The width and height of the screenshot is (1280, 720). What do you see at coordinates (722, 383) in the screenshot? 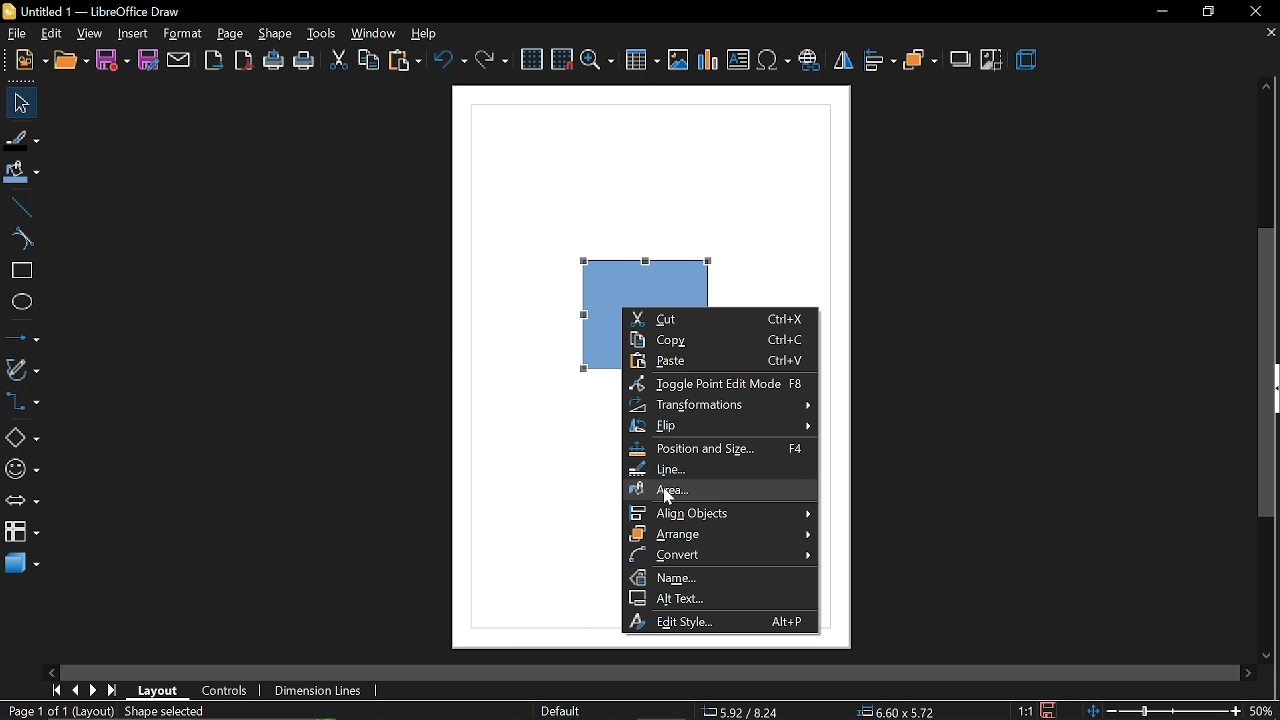
I see `toggle point edit mode` at bounding box center [722, 383].